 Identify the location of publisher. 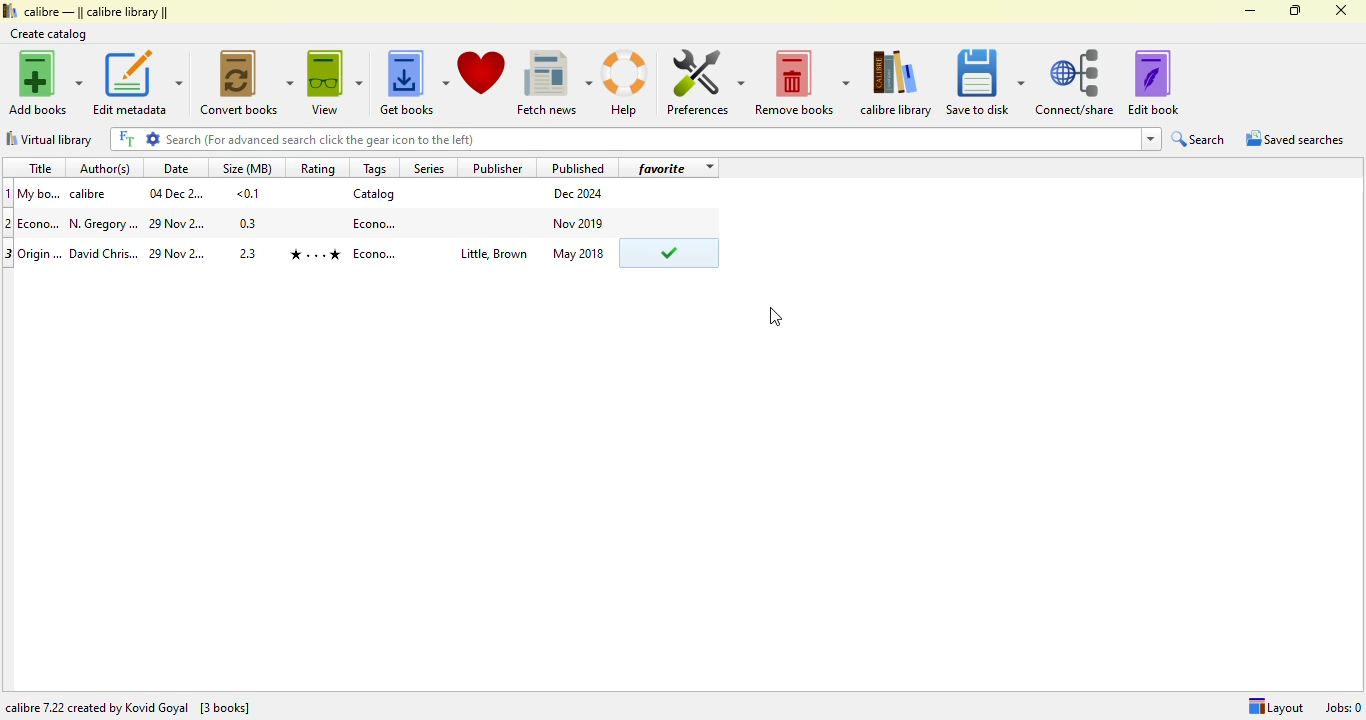
(492, 255).